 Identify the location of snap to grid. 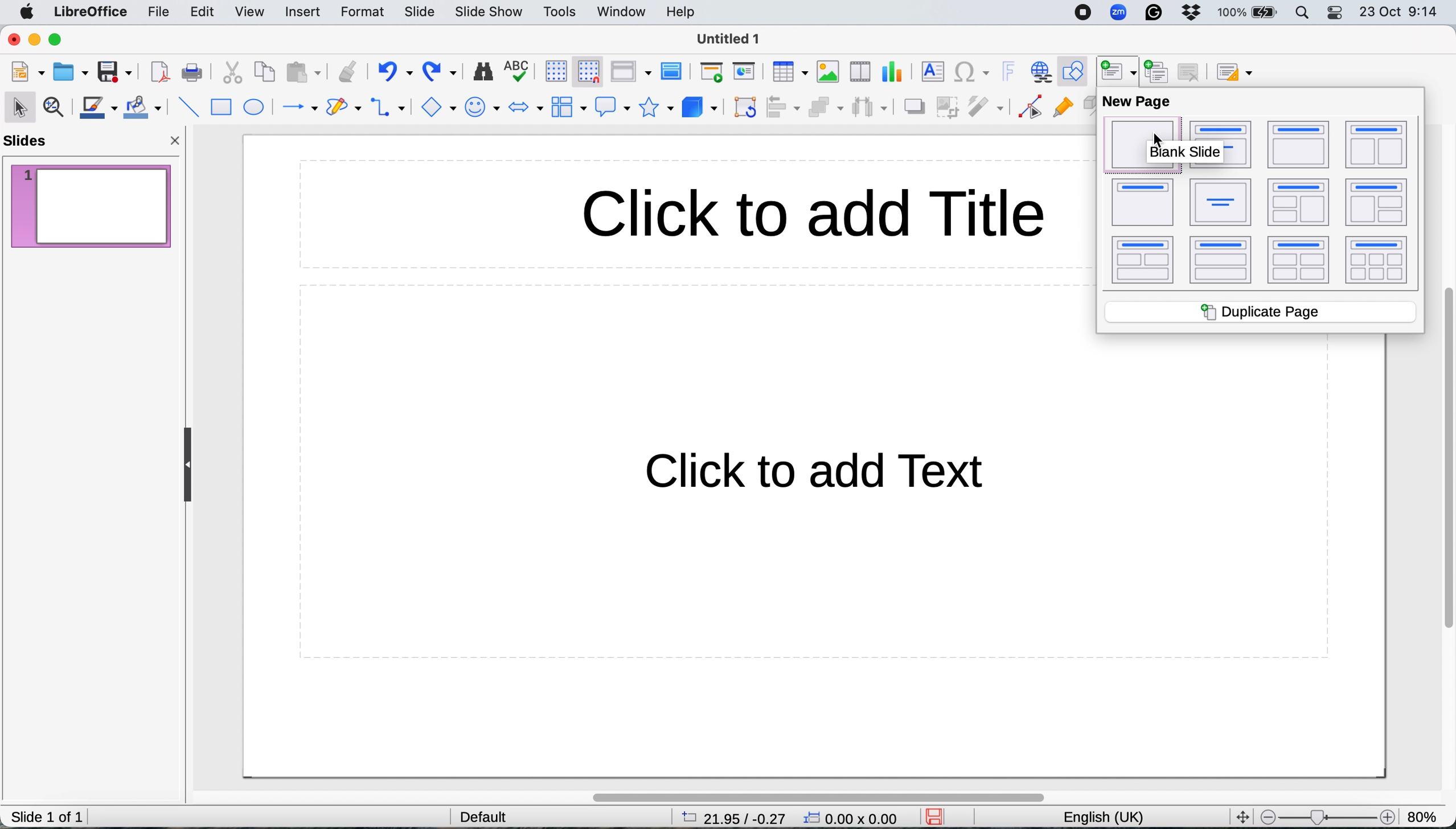
(590, 73).